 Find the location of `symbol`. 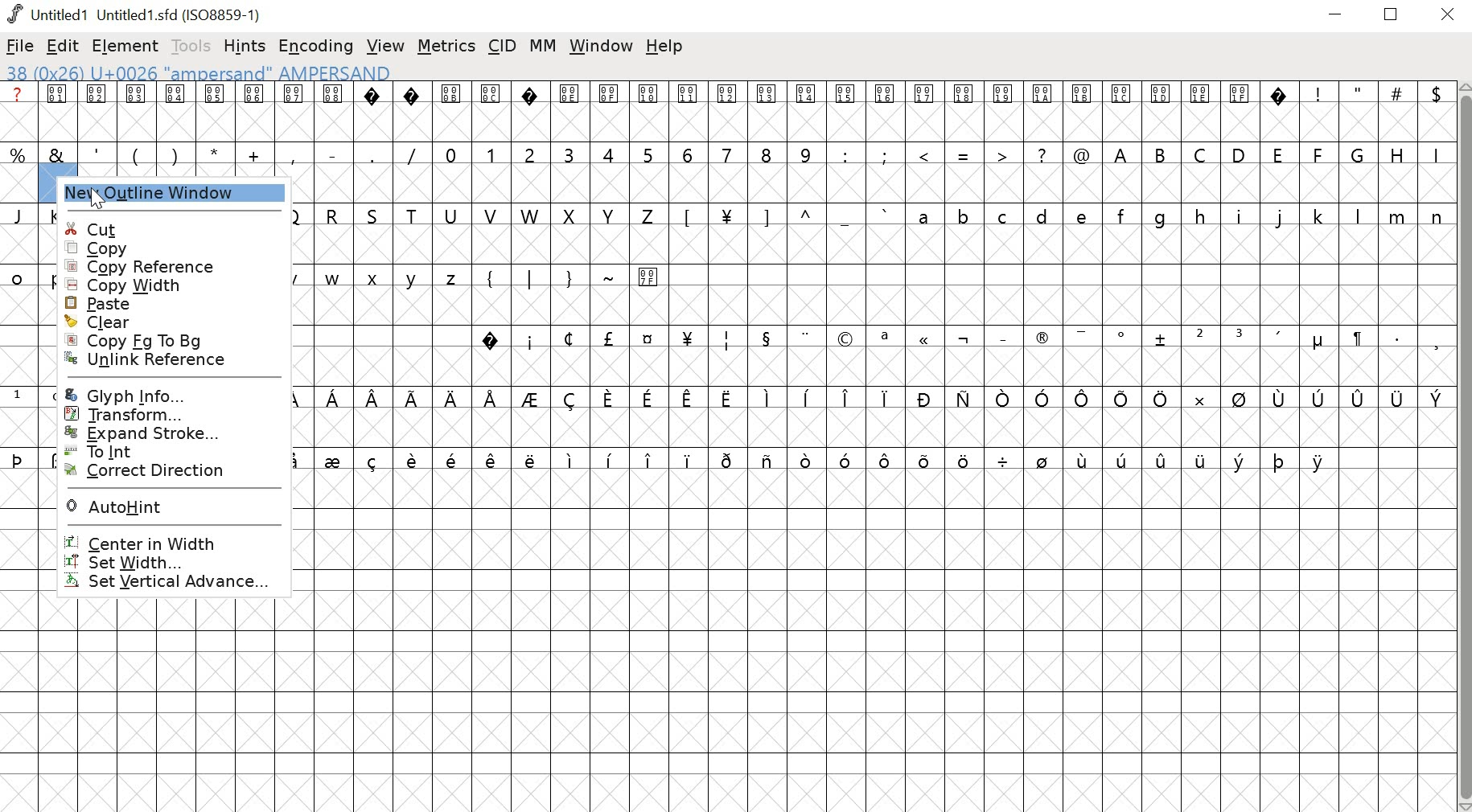

symbol is located at coordinates (1162, 338).